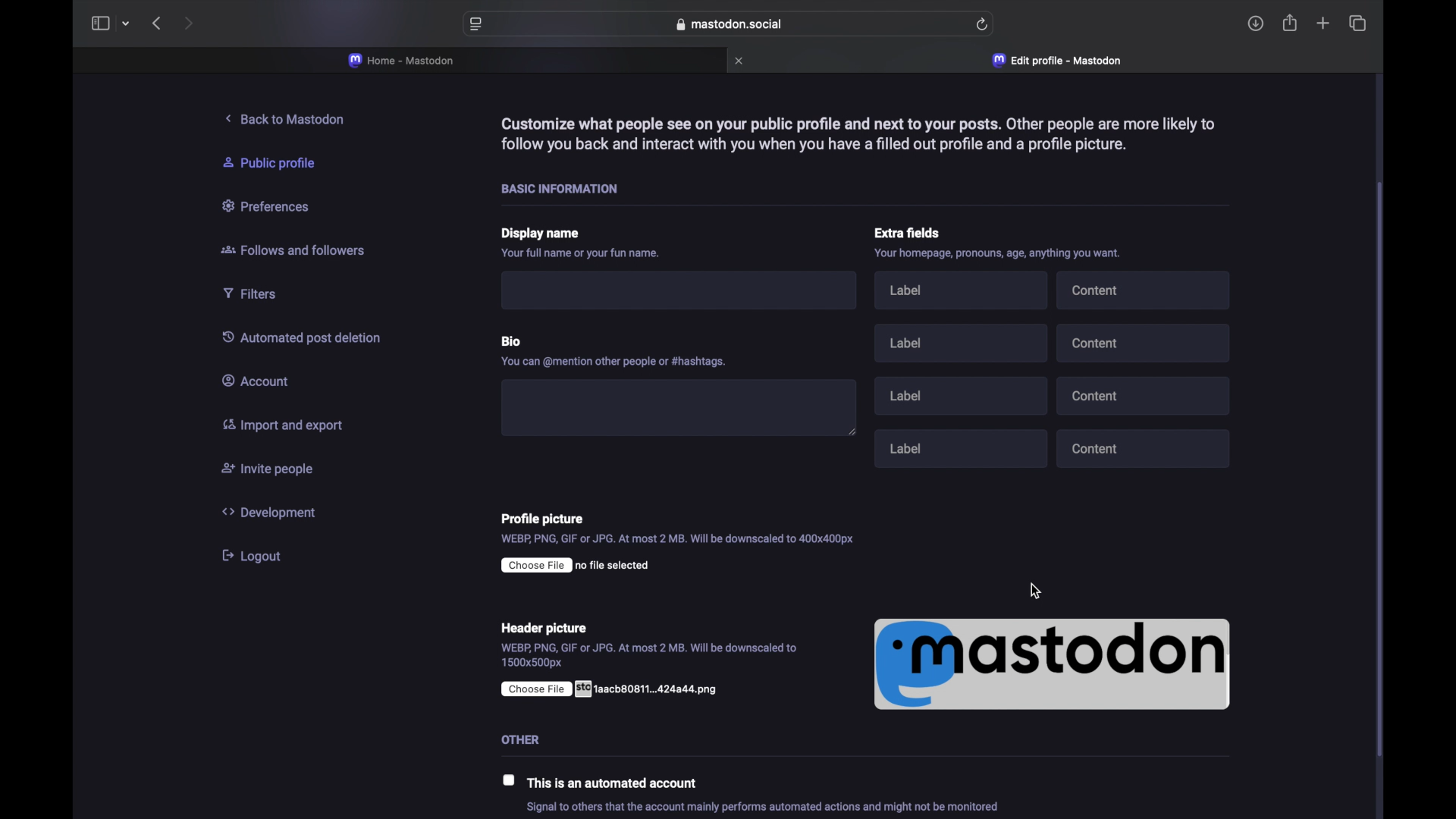 The width and height of the screenshot is (1456, 819). Describe the element at coordinates (1323, 25) in the screenshot. I see `new tab` at that location.